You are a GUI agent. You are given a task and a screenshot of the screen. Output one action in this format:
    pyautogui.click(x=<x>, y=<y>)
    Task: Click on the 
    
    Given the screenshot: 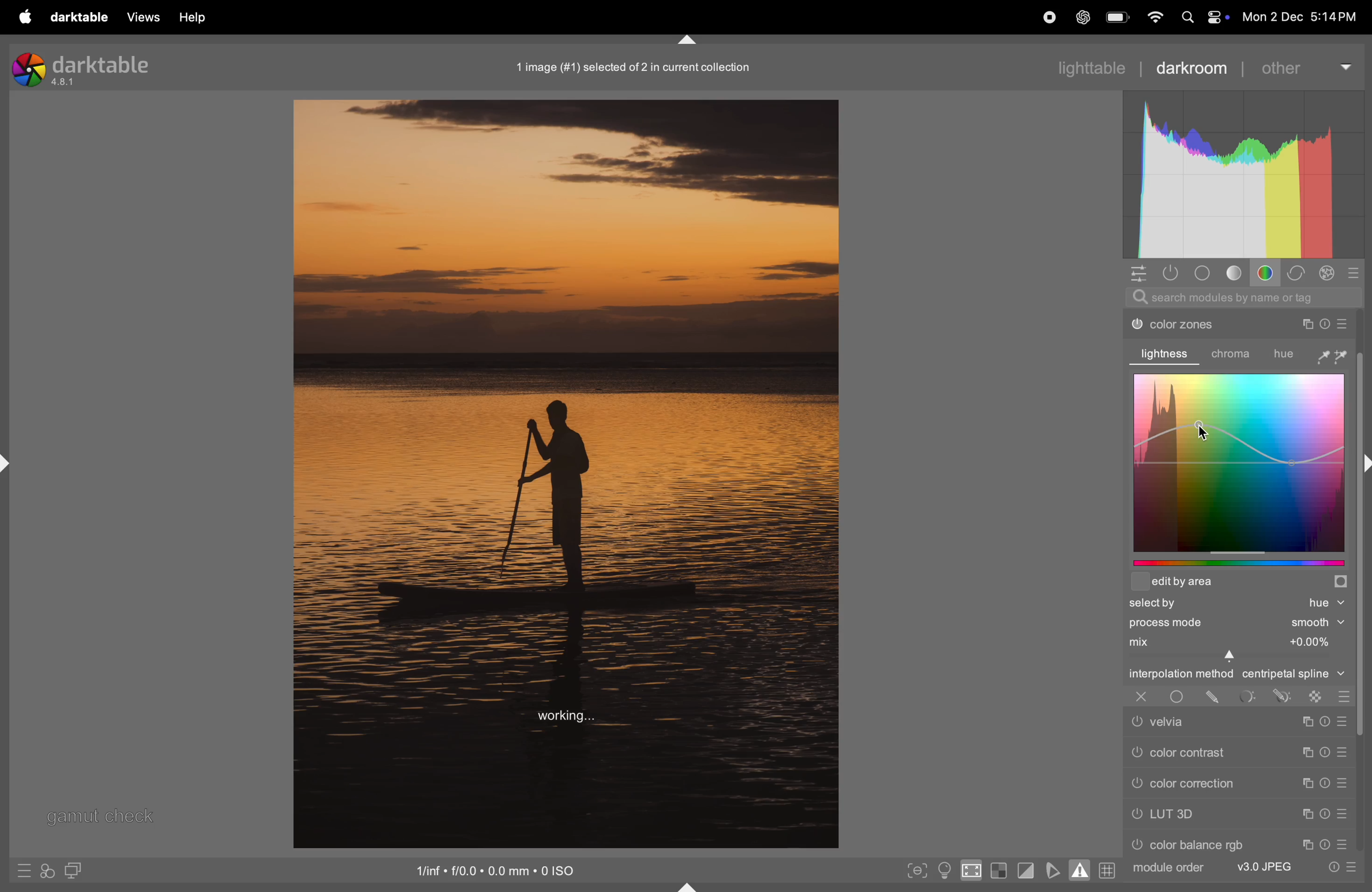 What is the action you would take?
    pyautogui.click(x=1201, y=273)
    